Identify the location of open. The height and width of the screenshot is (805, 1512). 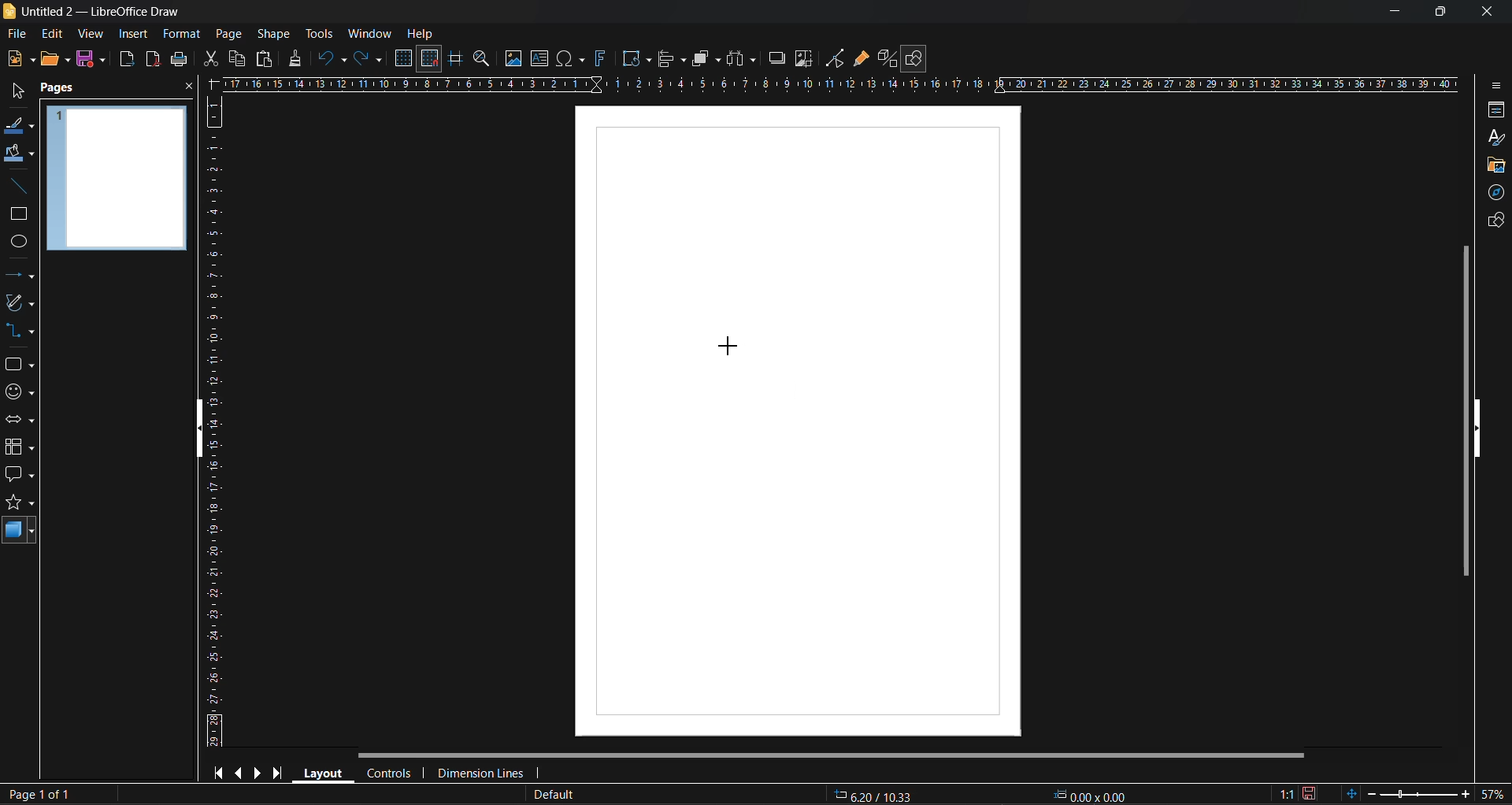
(54, 58).